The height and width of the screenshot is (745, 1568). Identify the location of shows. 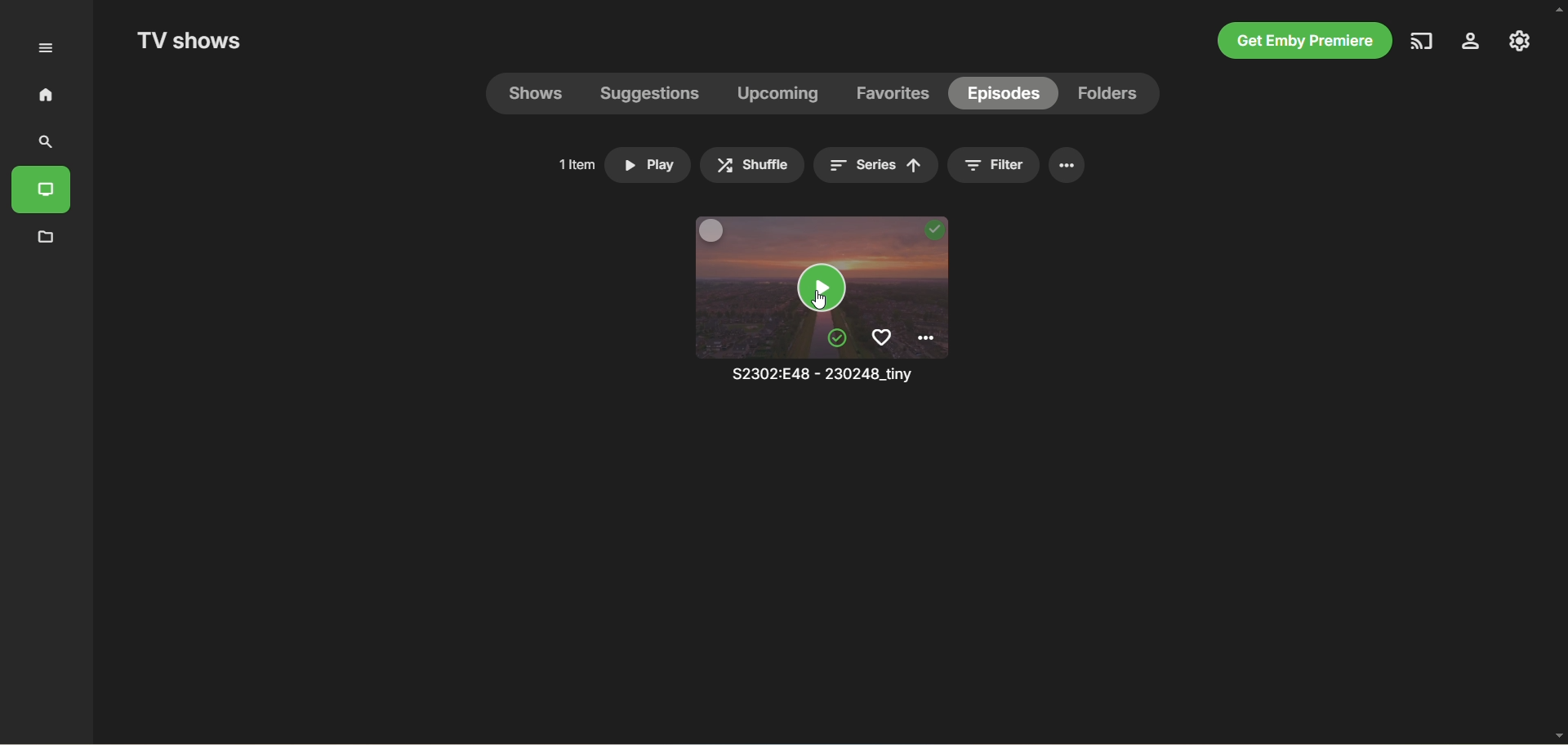
(536, 94).